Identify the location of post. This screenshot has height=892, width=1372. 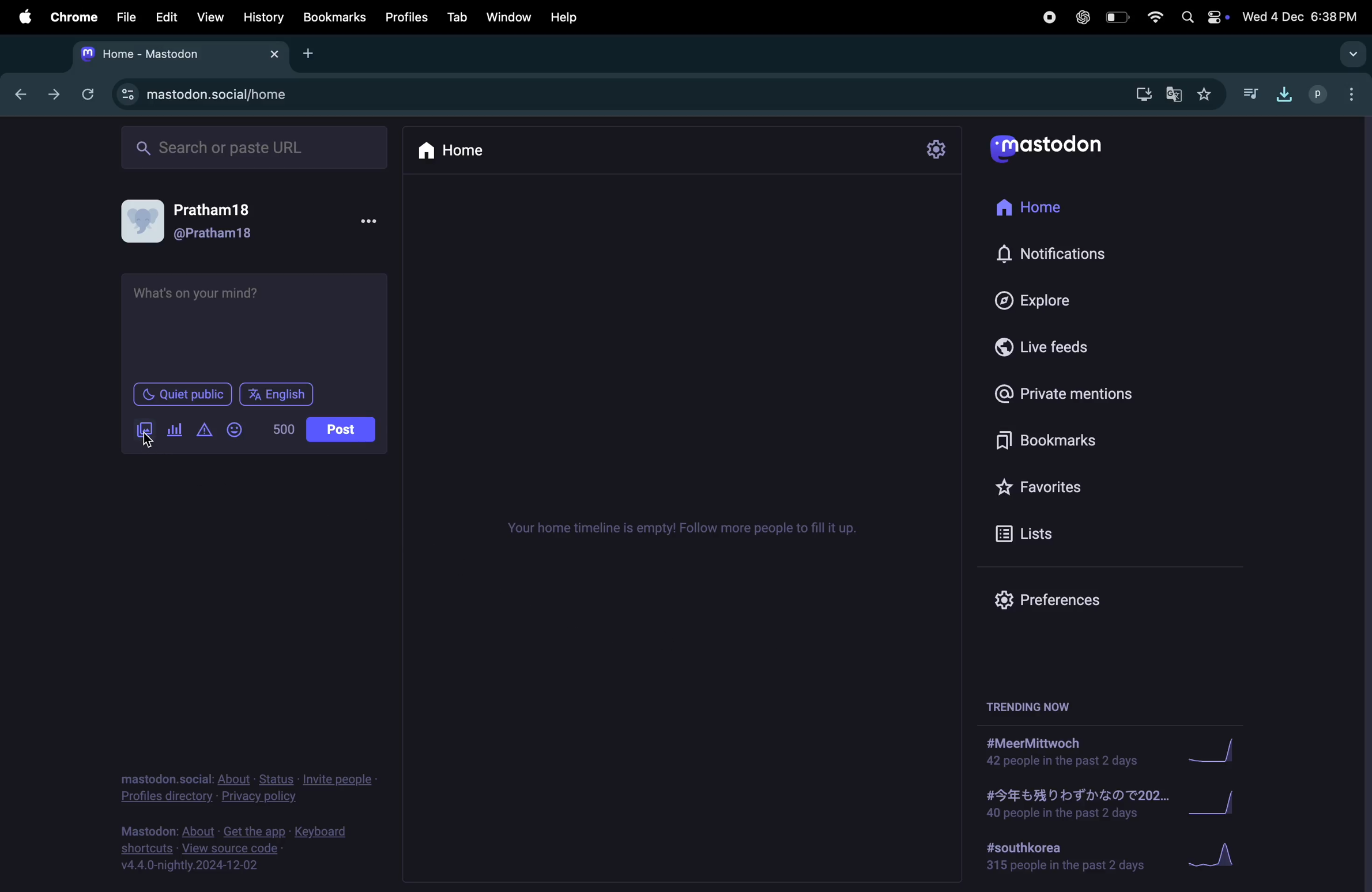
(341, 429).